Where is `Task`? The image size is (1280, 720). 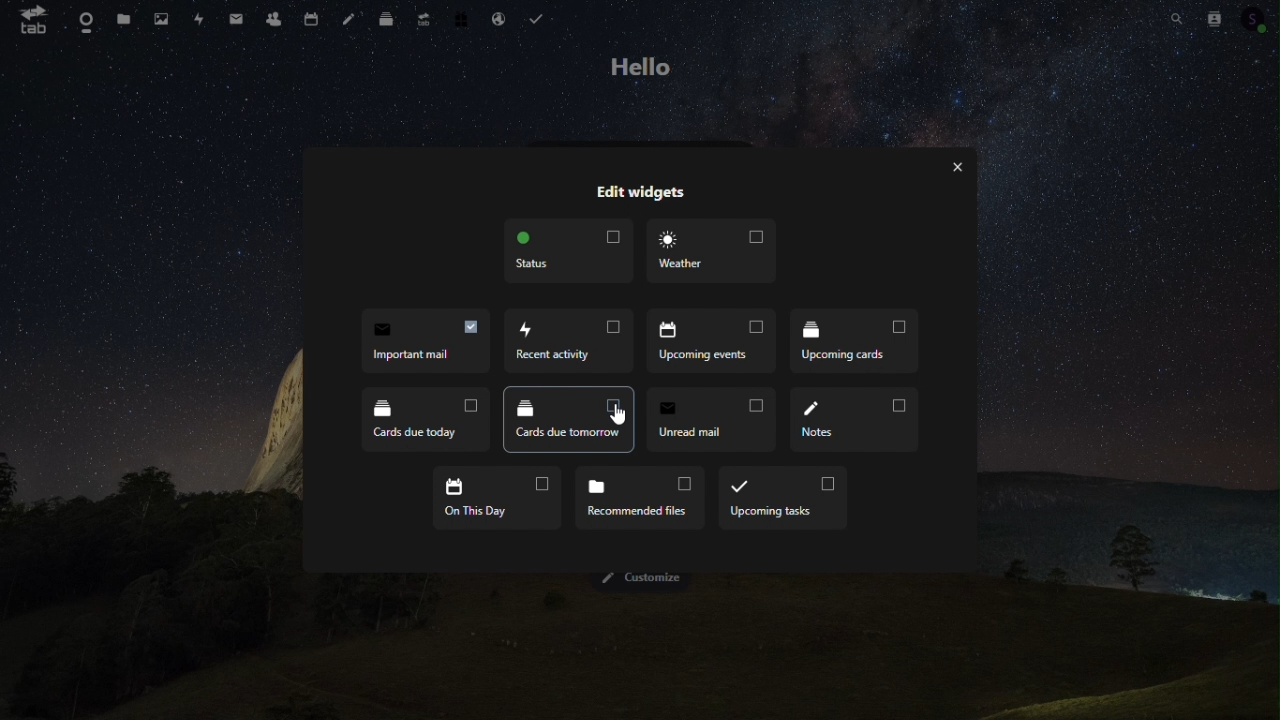
Task is located at coordinates (539, 19).